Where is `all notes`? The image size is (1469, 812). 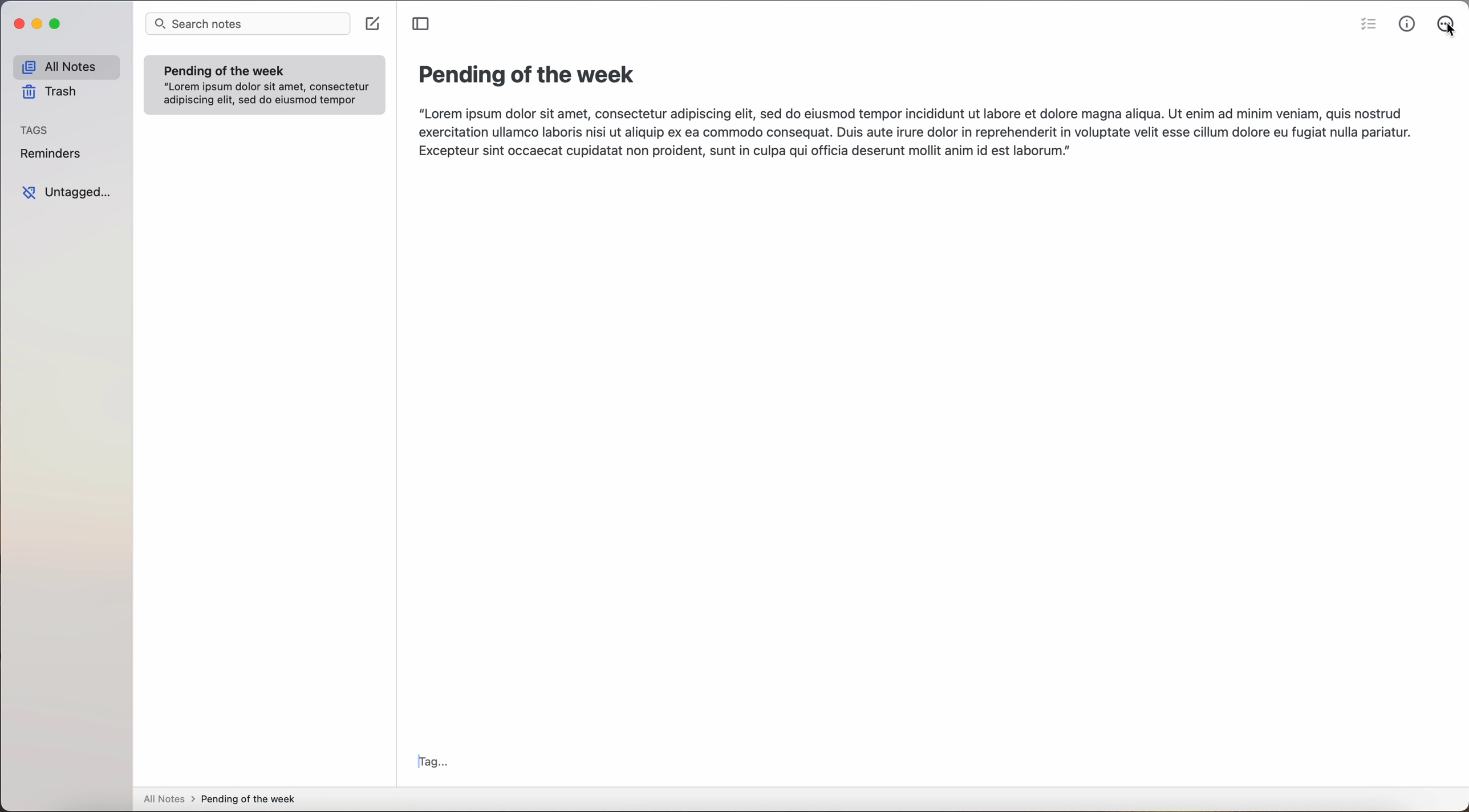
all notes is located at coordinates (63, 67).